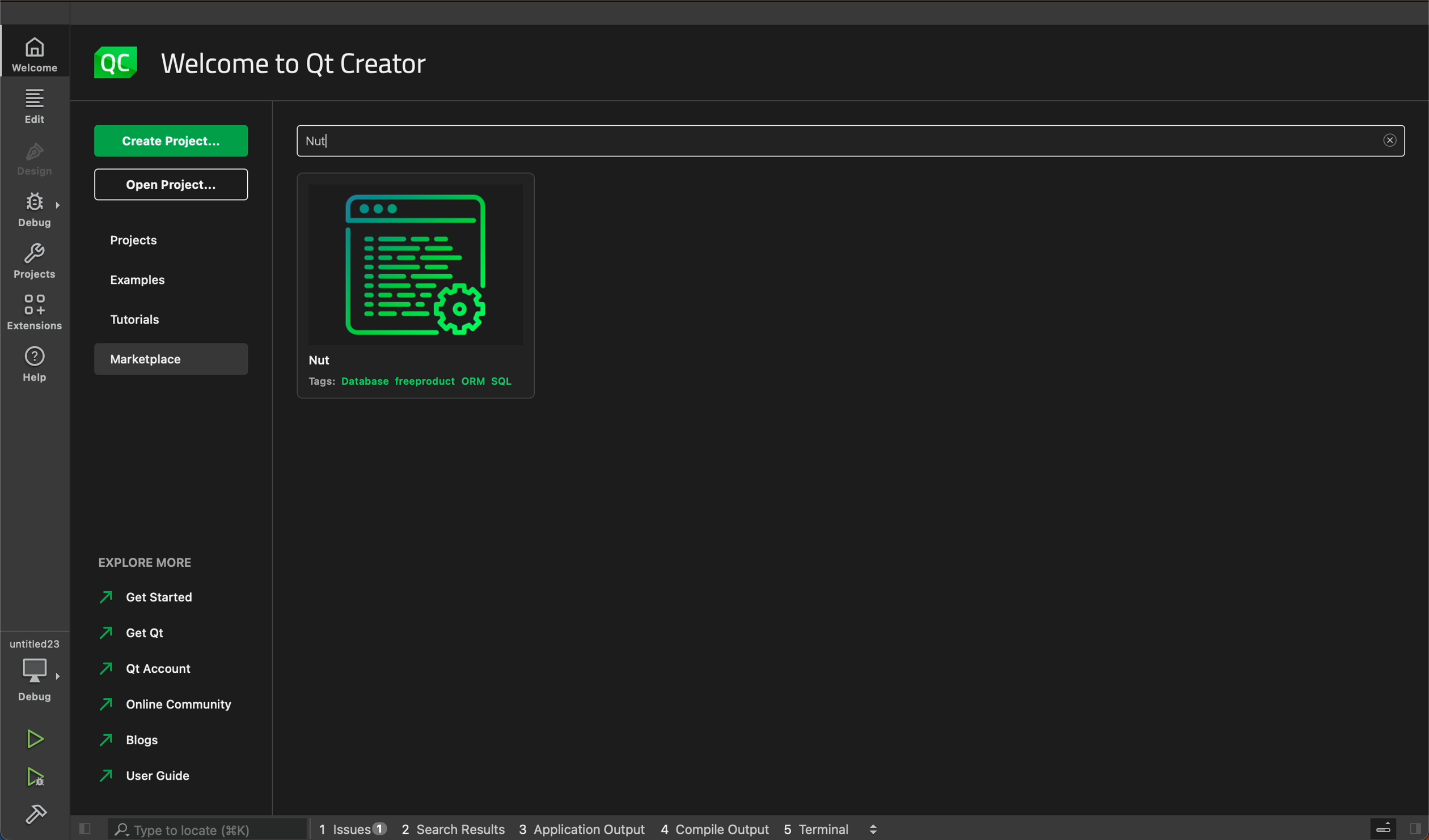 This screenshot has width=1429, height=840. I want to click on examples, so click(164, 285).